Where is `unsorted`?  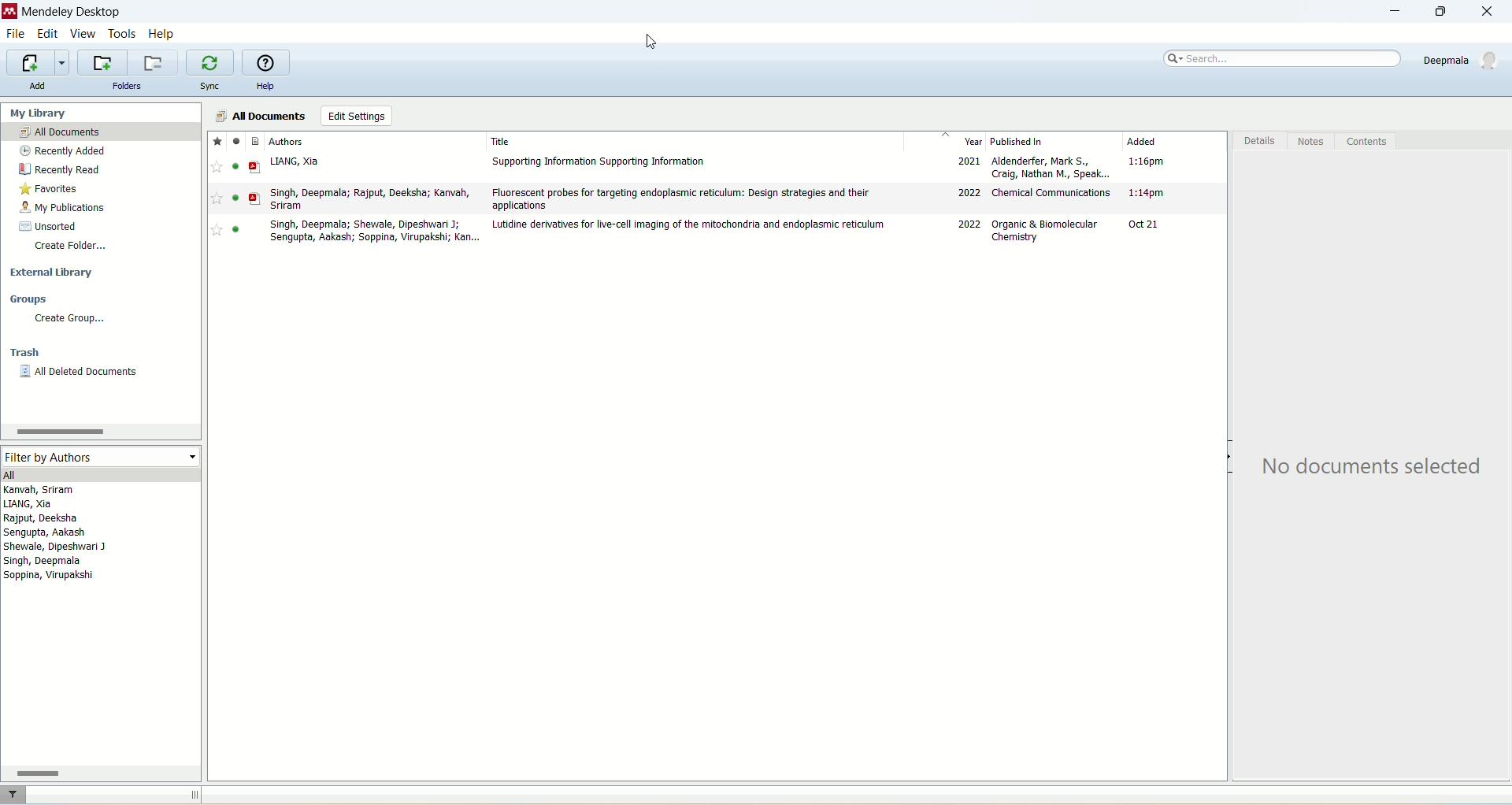
unsorted is located at coordinates (48, 227).